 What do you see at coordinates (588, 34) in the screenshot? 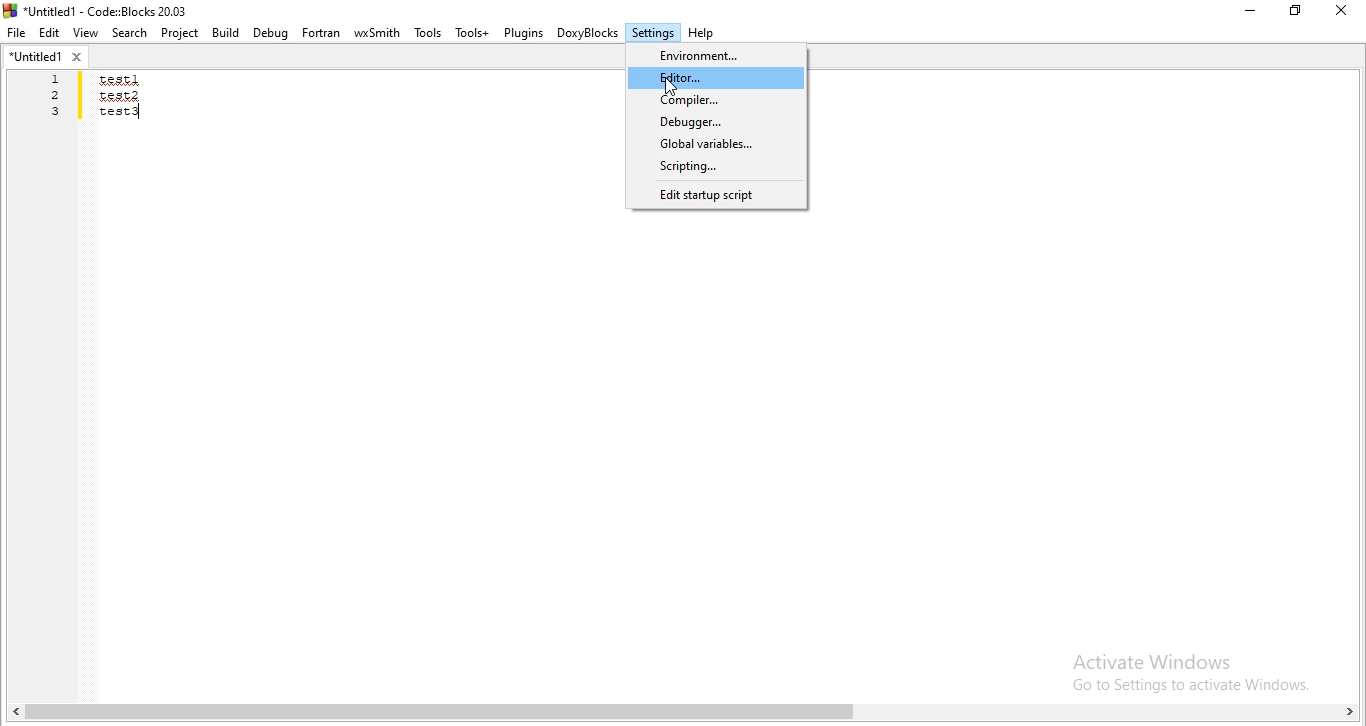
I see `doxyblocks` at bounding box center [588, 34].